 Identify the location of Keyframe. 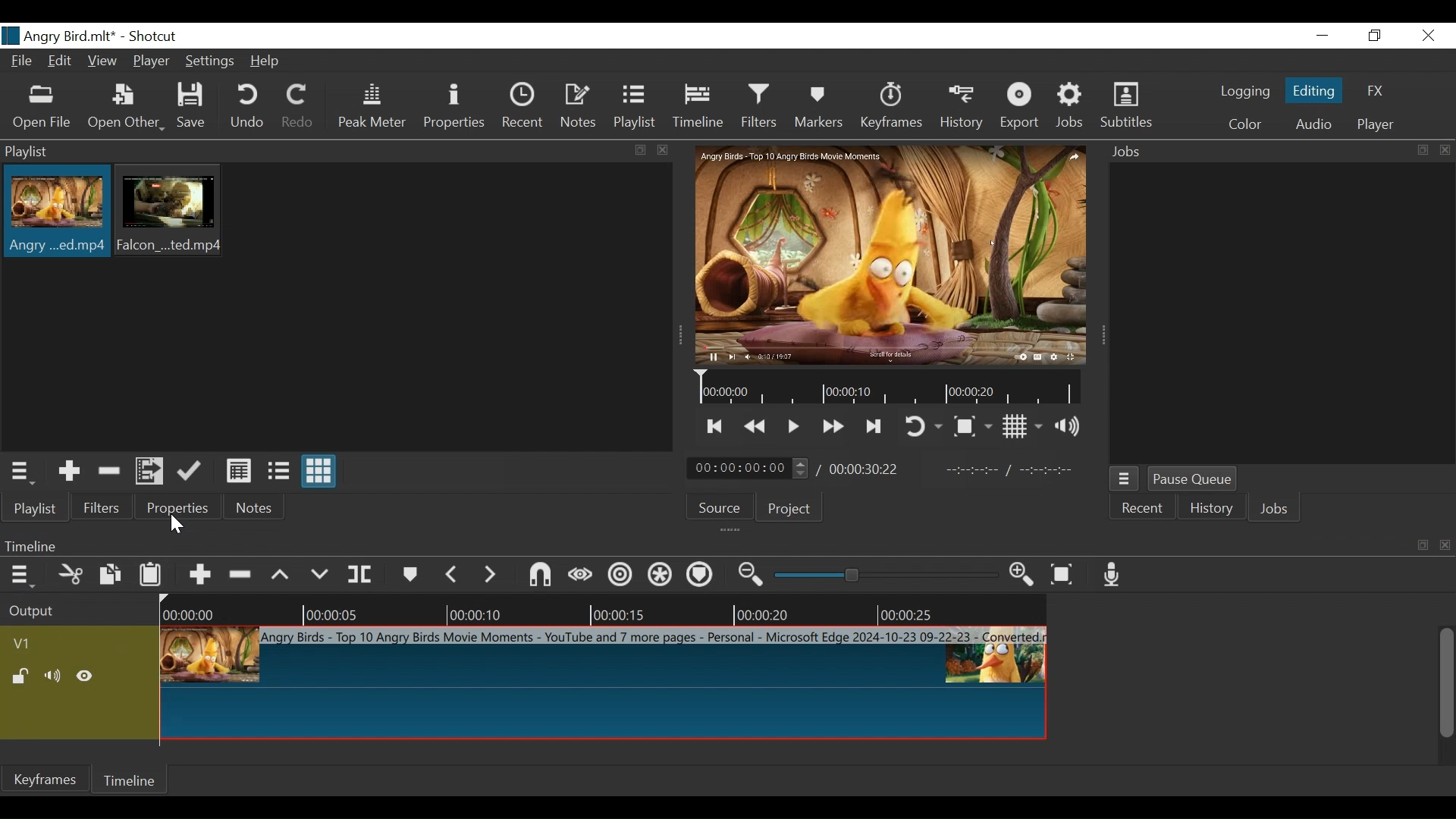
(44, 780).